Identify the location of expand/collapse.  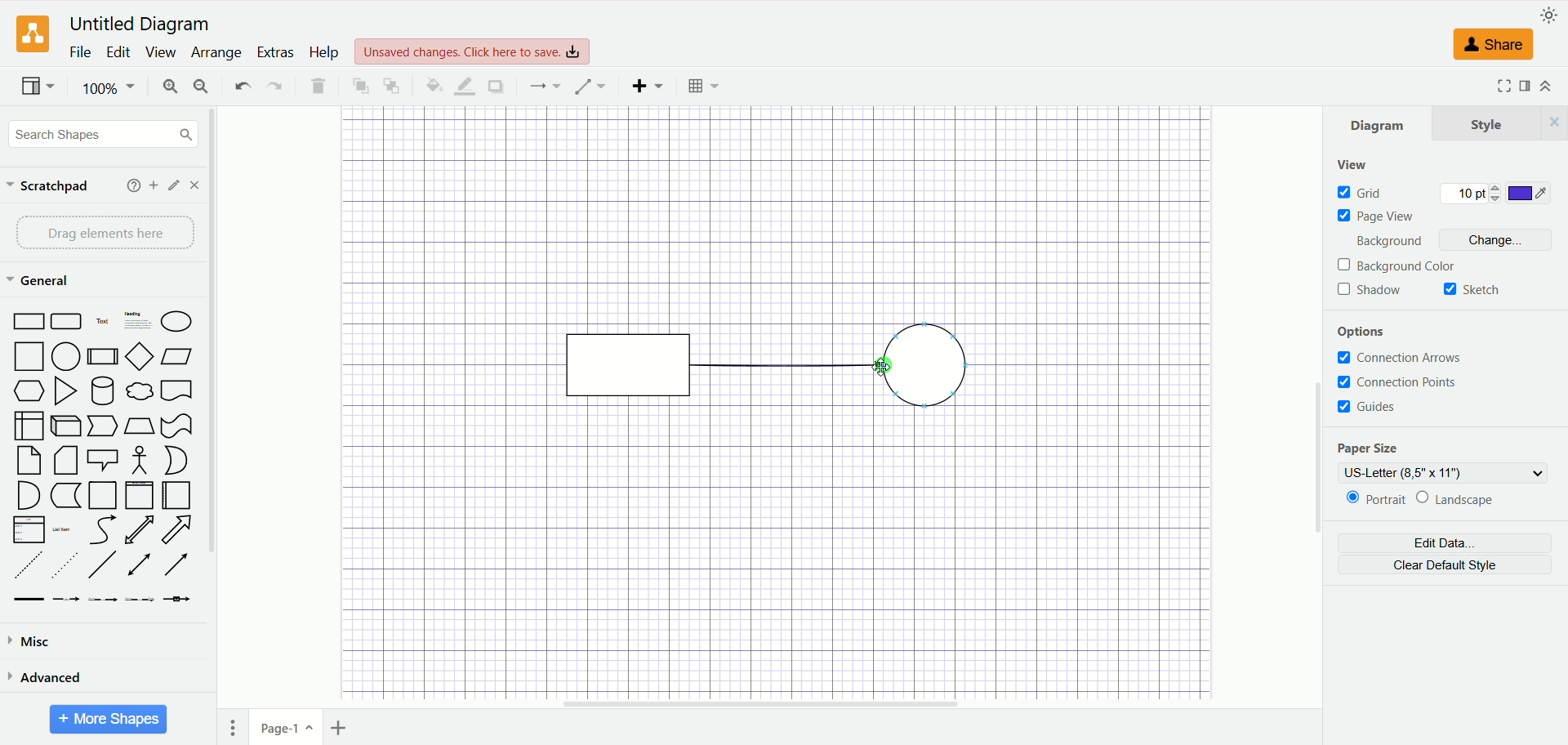
(1546, 86).